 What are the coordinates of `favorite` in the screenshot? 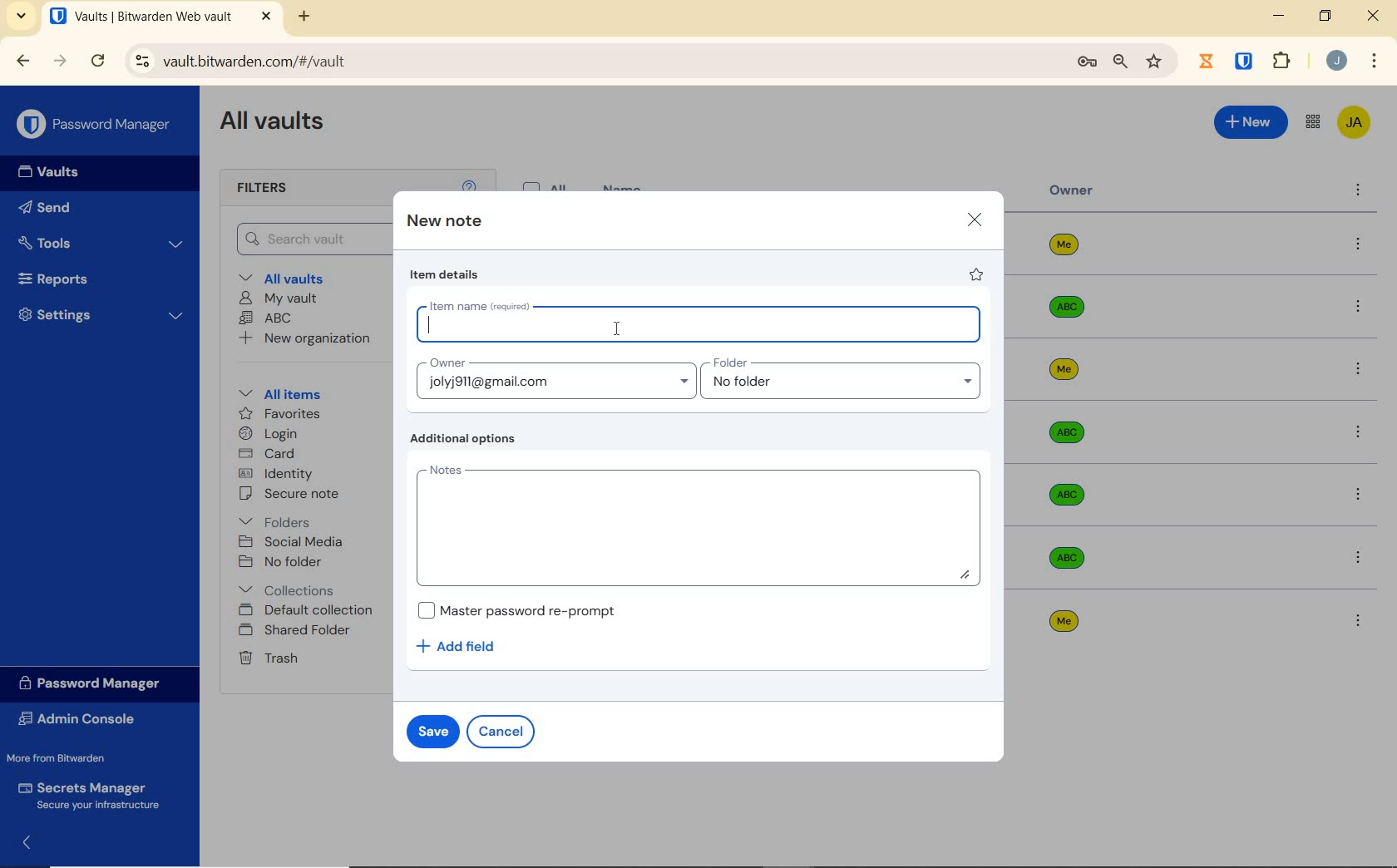 It's located at (977, 277).